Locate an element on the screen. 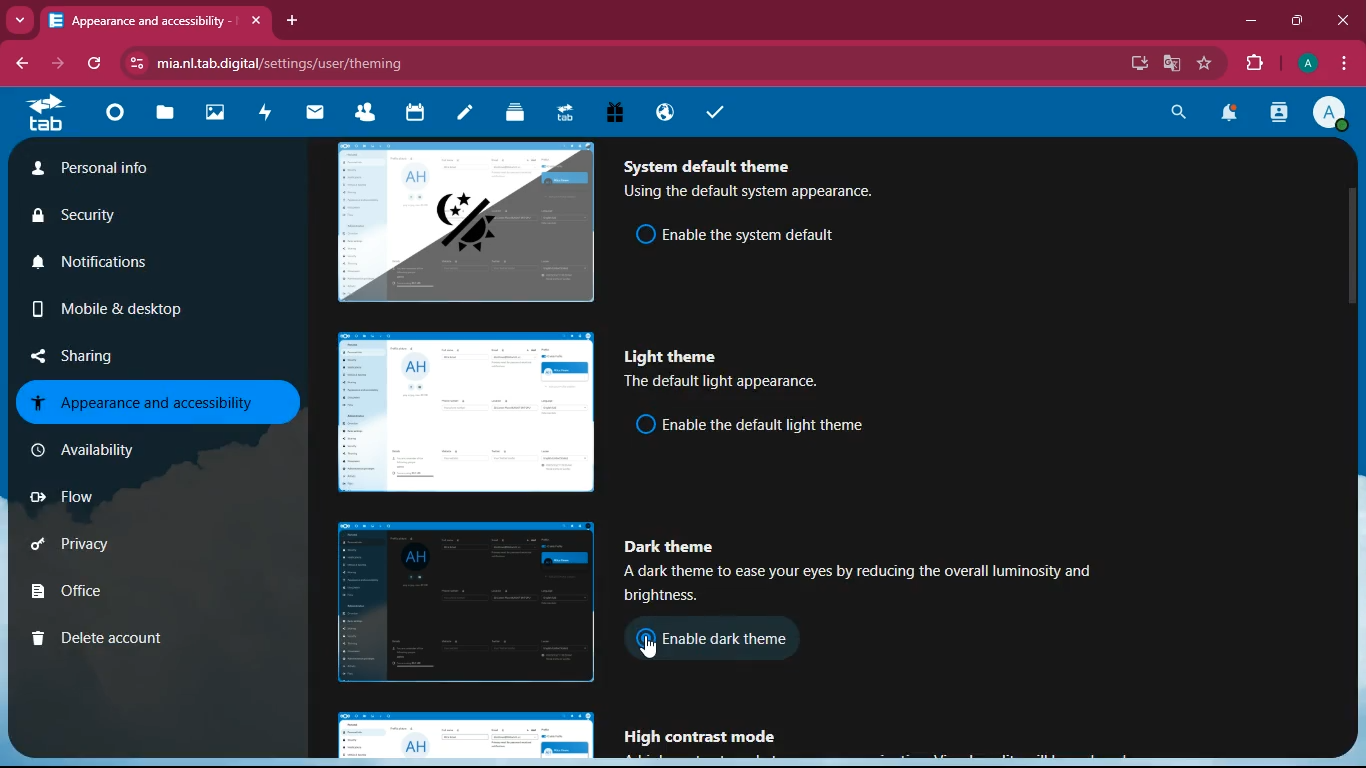 The width and height of the screenshot is (1366, 768). image is located at coordinates (466, 220).